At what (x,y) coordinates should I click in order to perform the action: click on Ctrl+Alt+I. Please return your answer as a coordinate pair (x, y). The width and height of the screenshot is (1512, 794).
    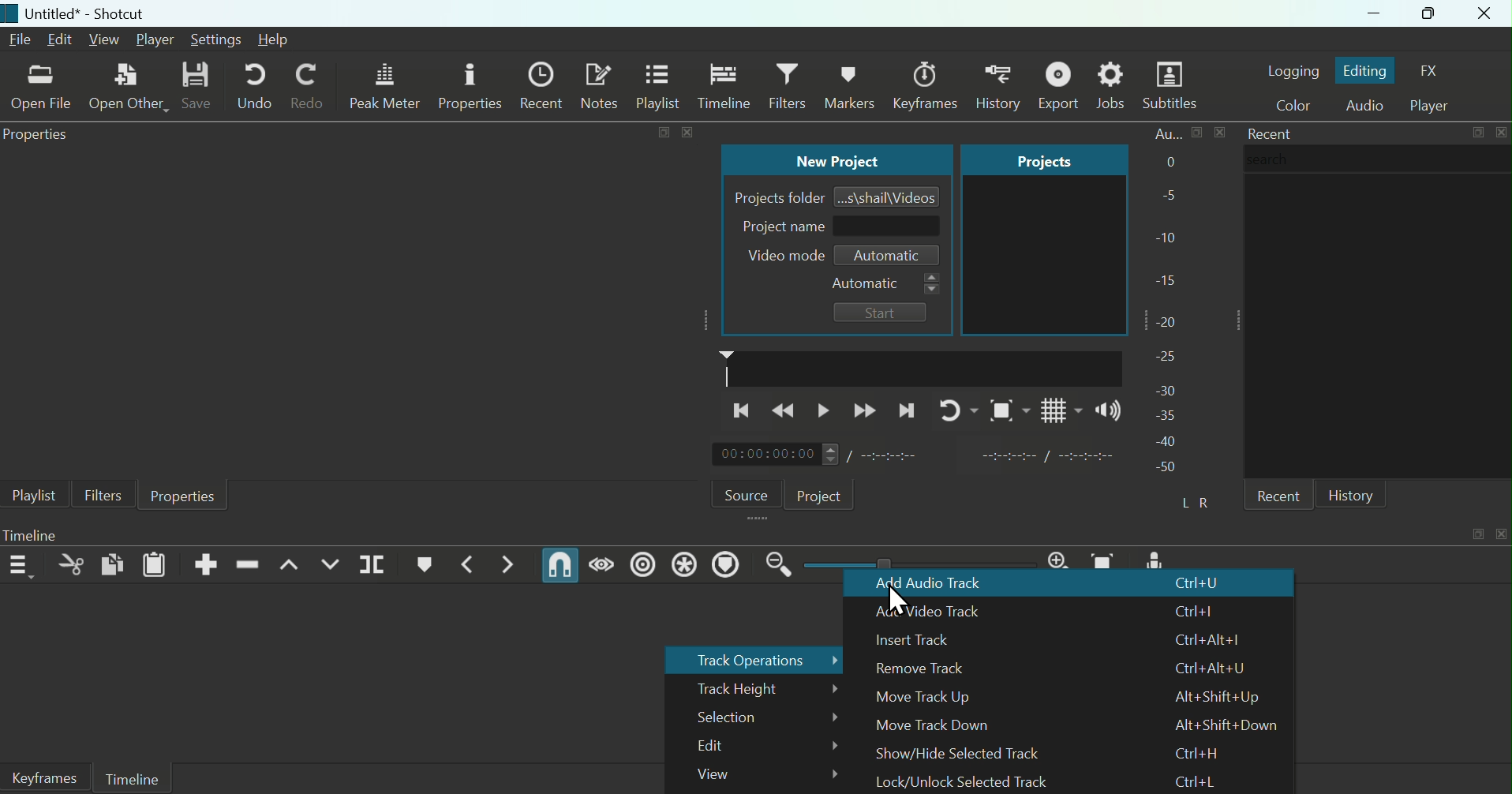
    Looking at the image, I should click on (1206, 639).